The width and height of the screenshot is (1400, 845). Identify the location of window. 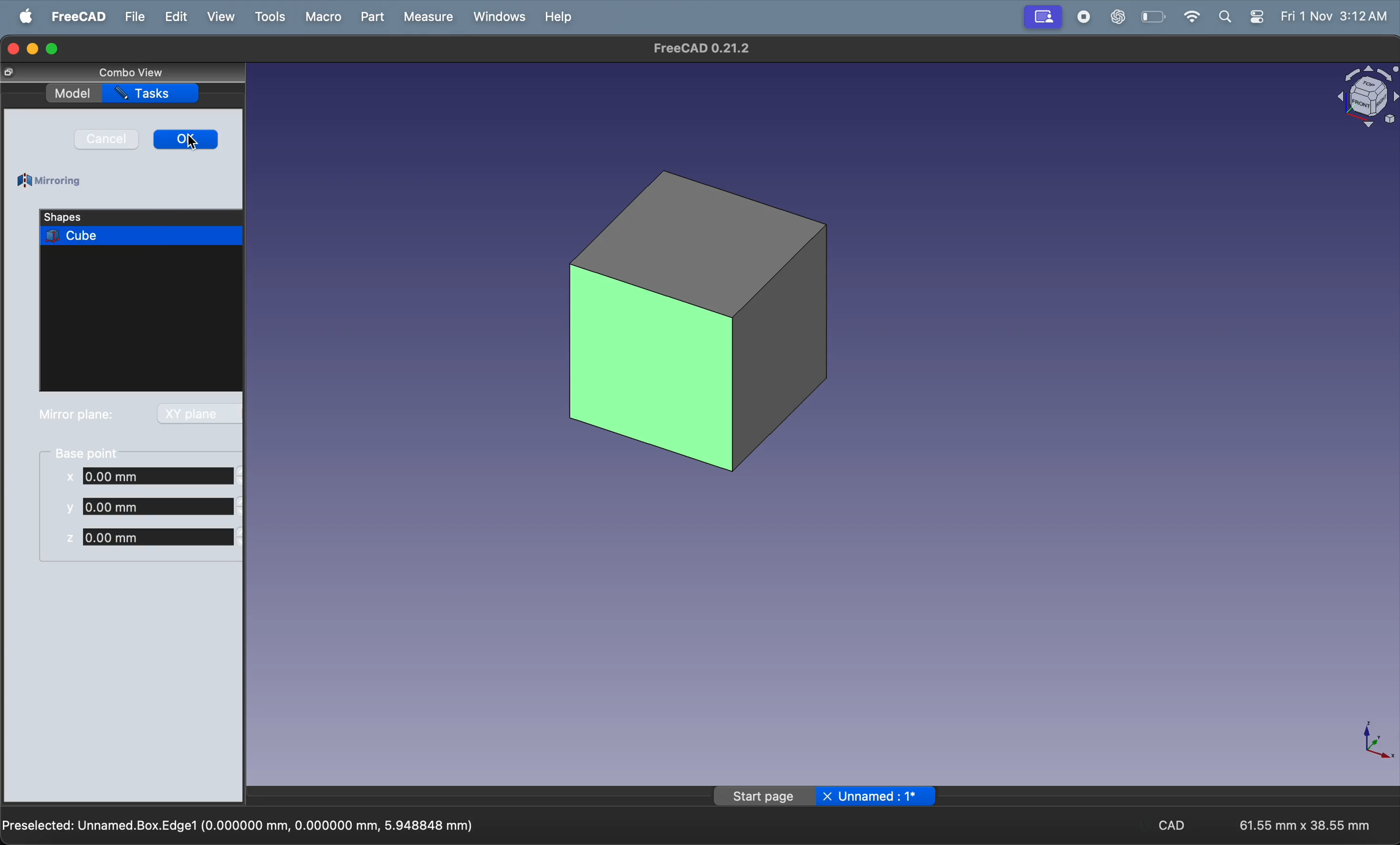
(497, 17).